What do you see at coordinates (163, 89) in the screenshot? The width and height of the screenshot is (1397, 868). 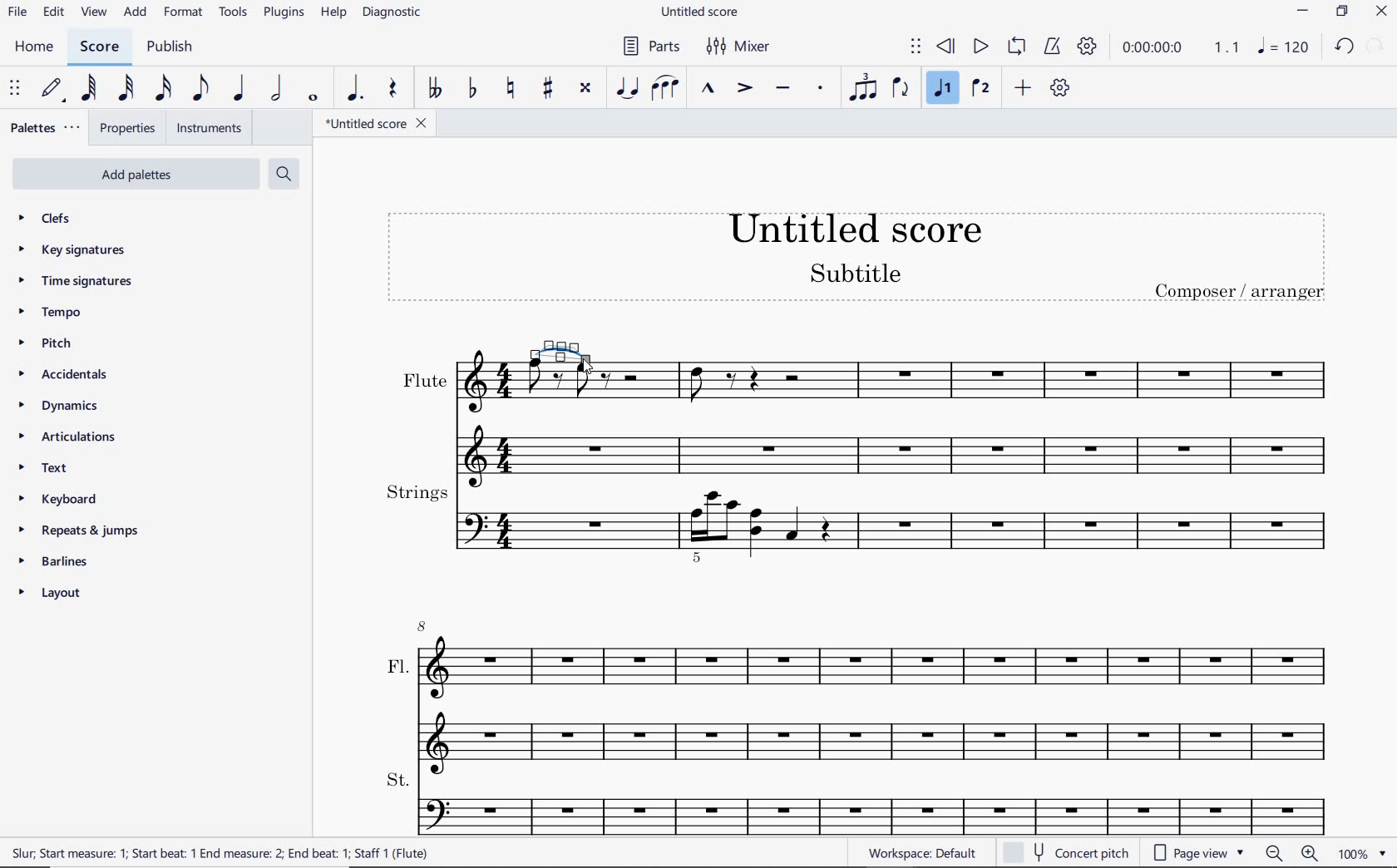 I see `16TH NOTE` at bounding box center [163, 89].